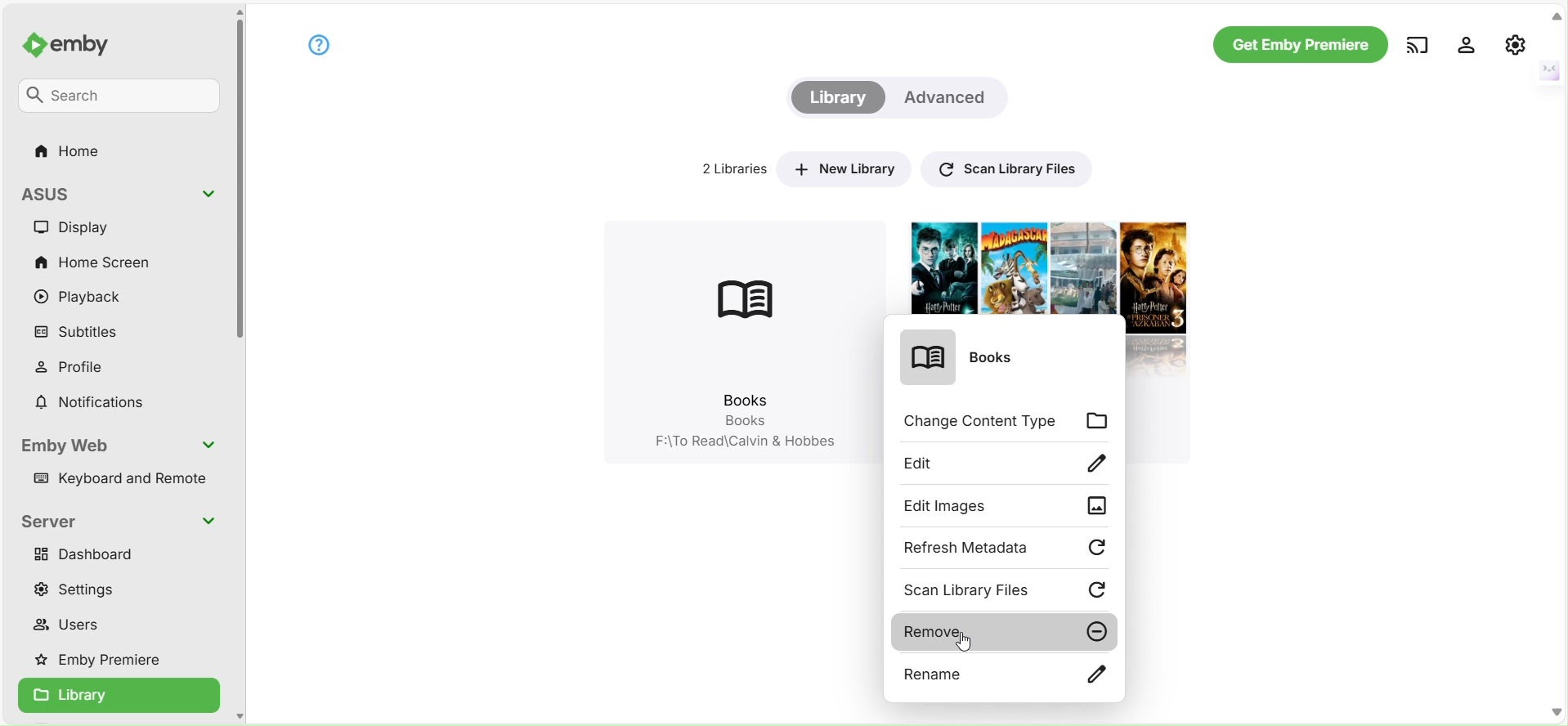 The width and height of the screenshot is (1568, 726). I want to click on Settings, so click(84, 589).